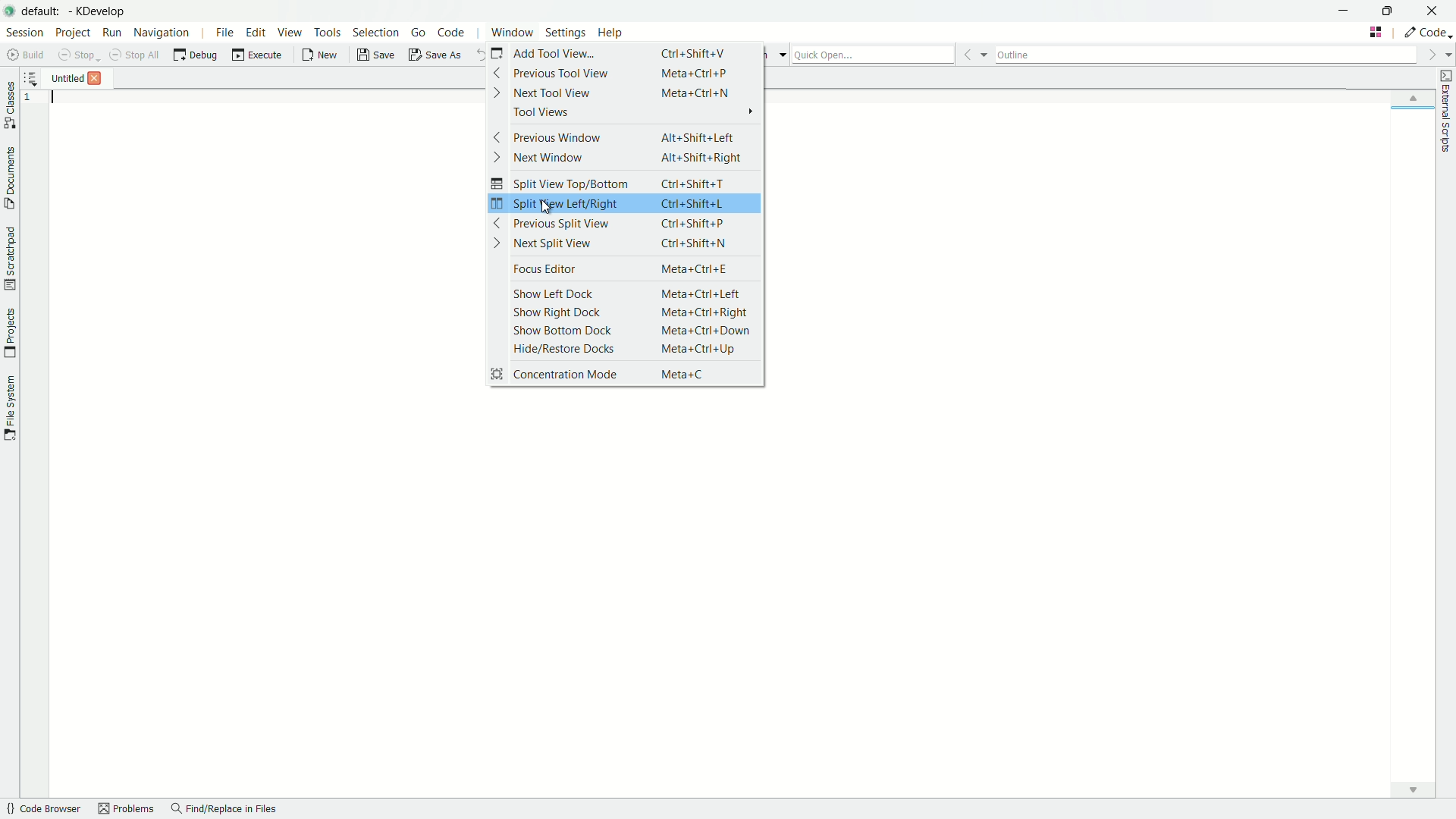 Image resolution: width=1456 pixels, height=819 pixels. Describe the element at coordinates (419, 35) in the screenshot. I see `go menu` at that location.